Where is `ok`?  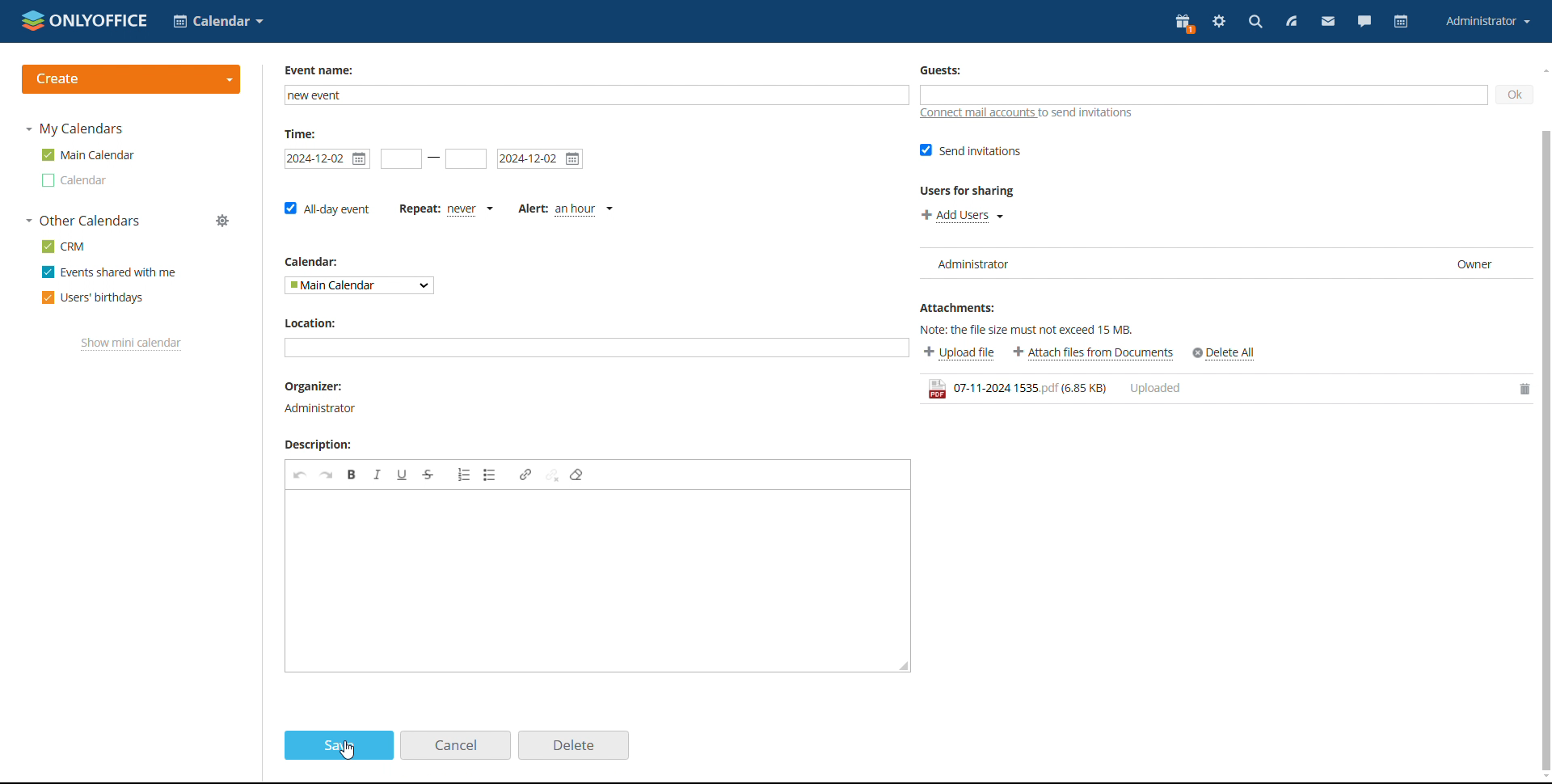 ok is located at coordinates (1512, 96).